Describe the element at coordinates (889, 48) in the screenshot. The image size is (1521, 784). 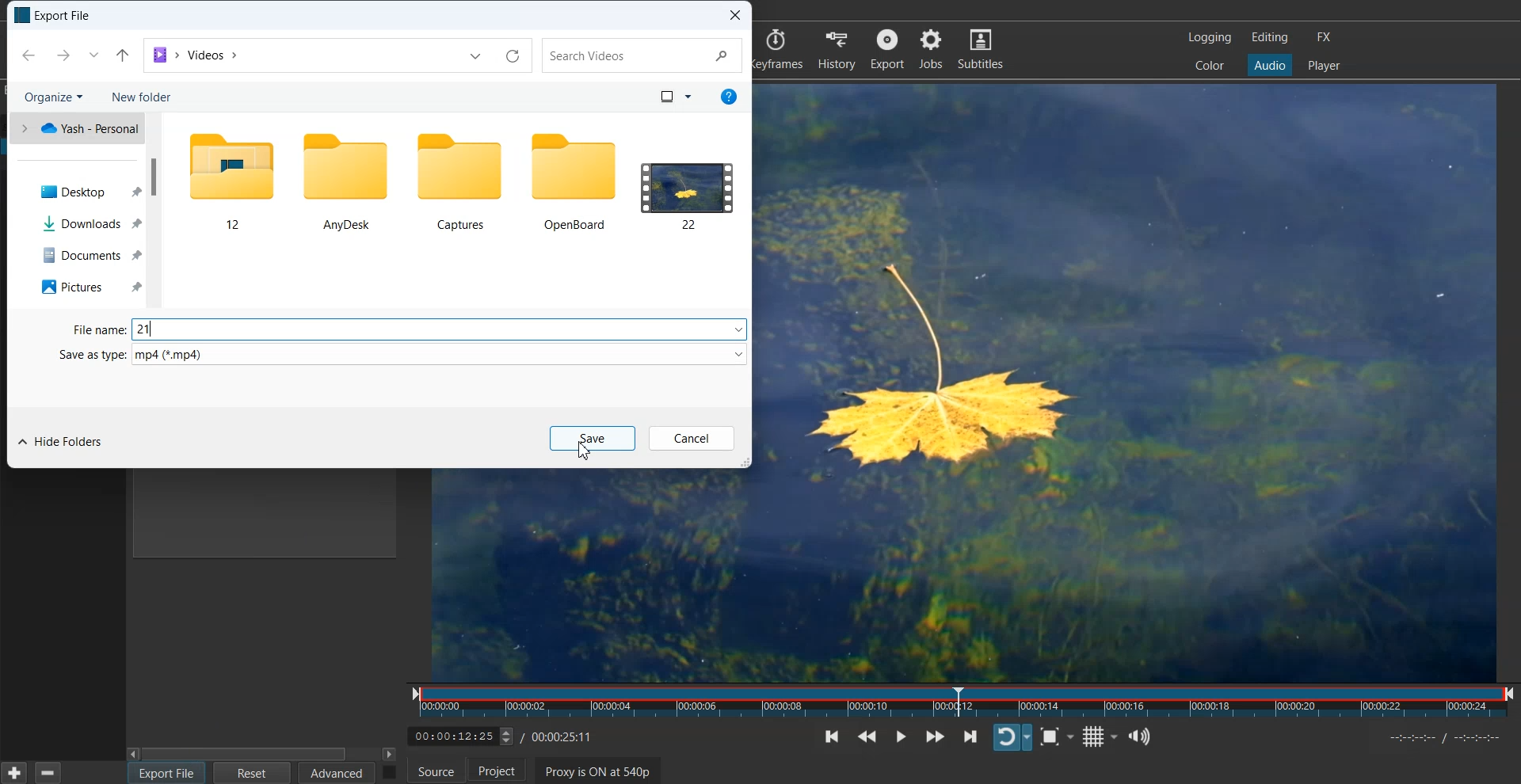
I see `Export` at that location.